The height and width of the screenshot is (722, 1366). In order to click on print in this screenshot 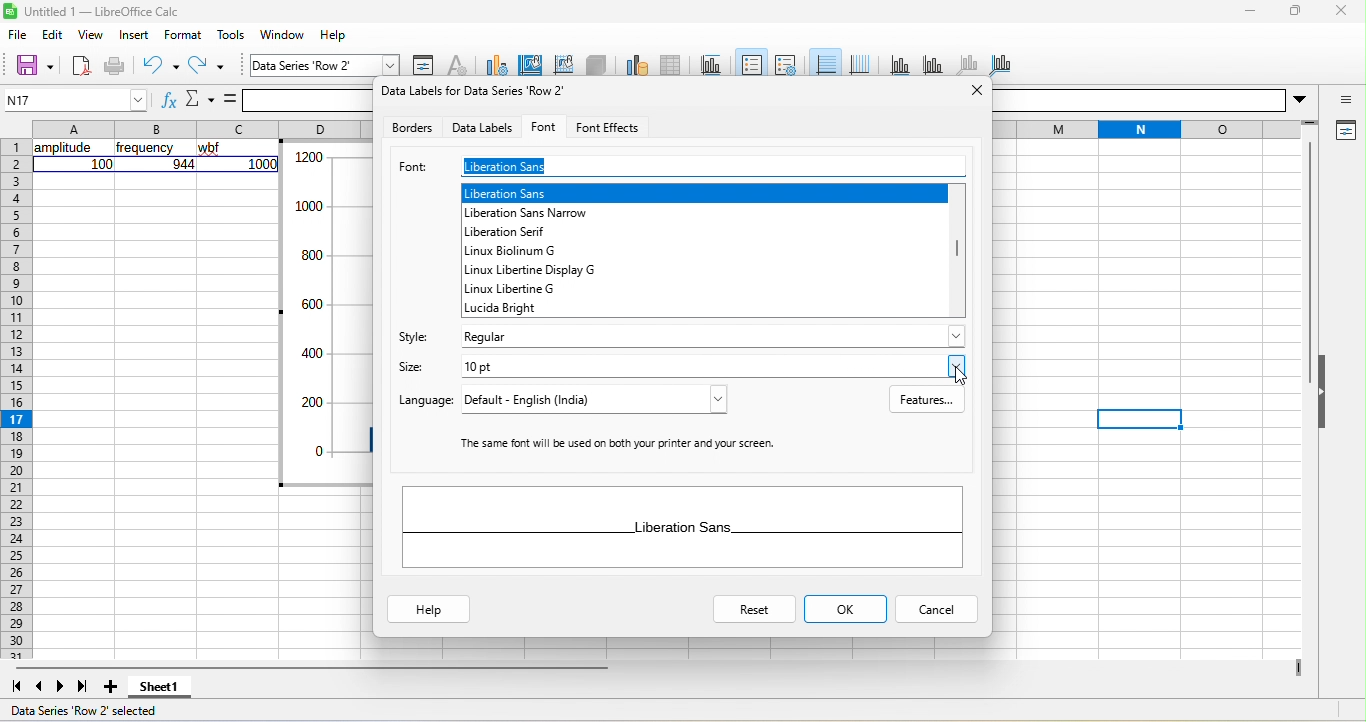, I will do `click(115, 66)`.